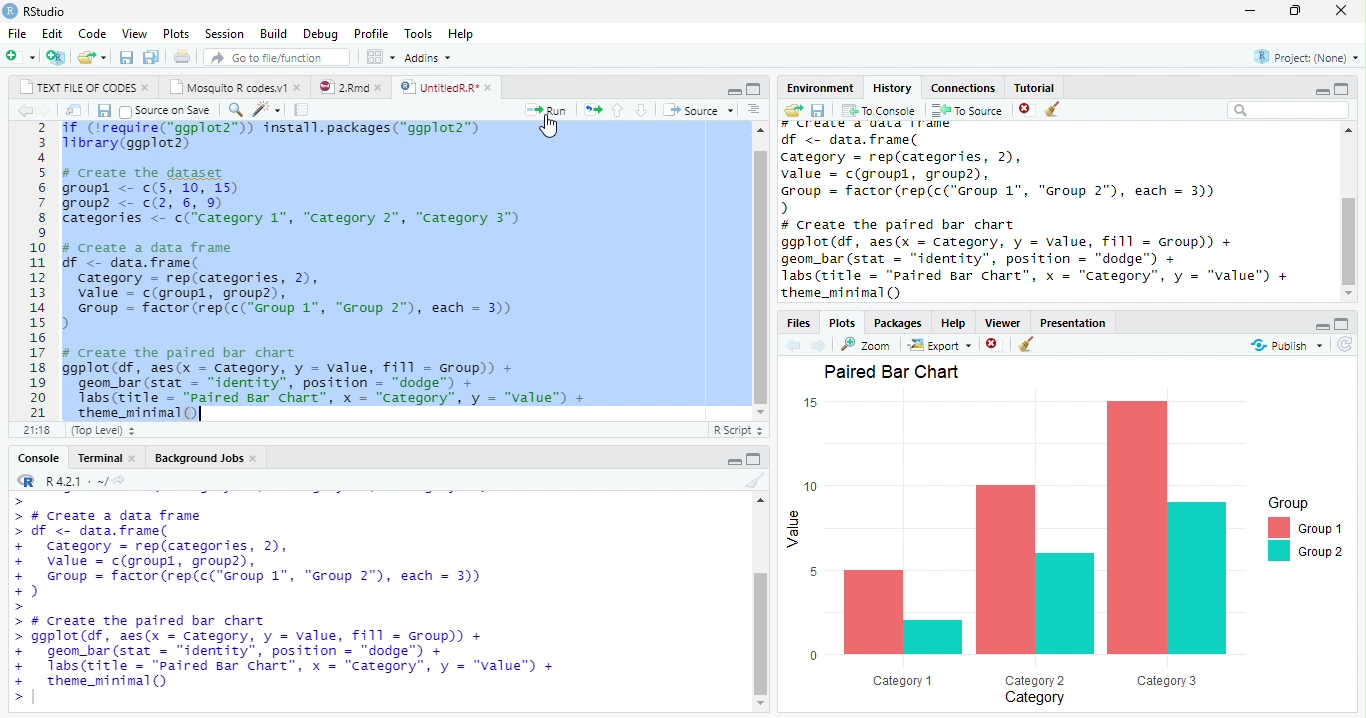 The width and height of the screenshot is (1366, 718). Describe the element at coordinates (549, 109) in the screenshot. I see `run` at that location.